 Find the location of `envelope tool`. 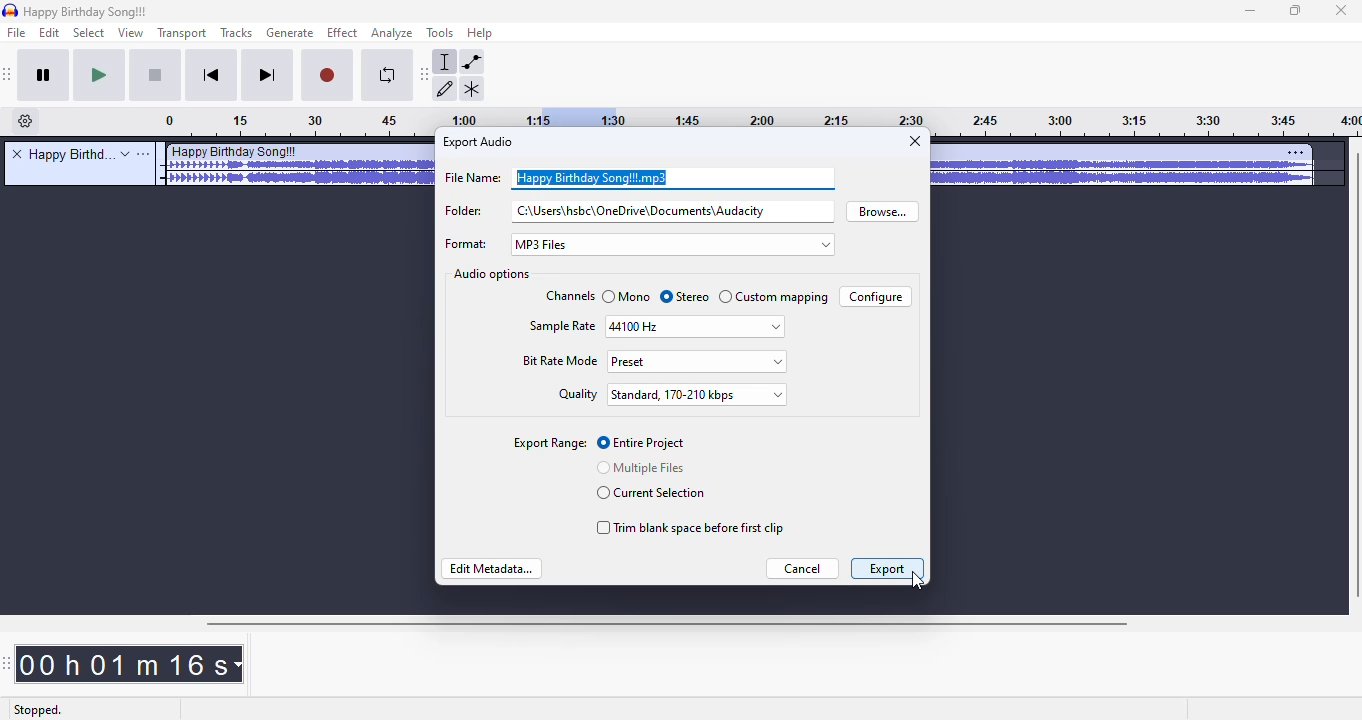

envelope tool is located at coordinates (472, 62).